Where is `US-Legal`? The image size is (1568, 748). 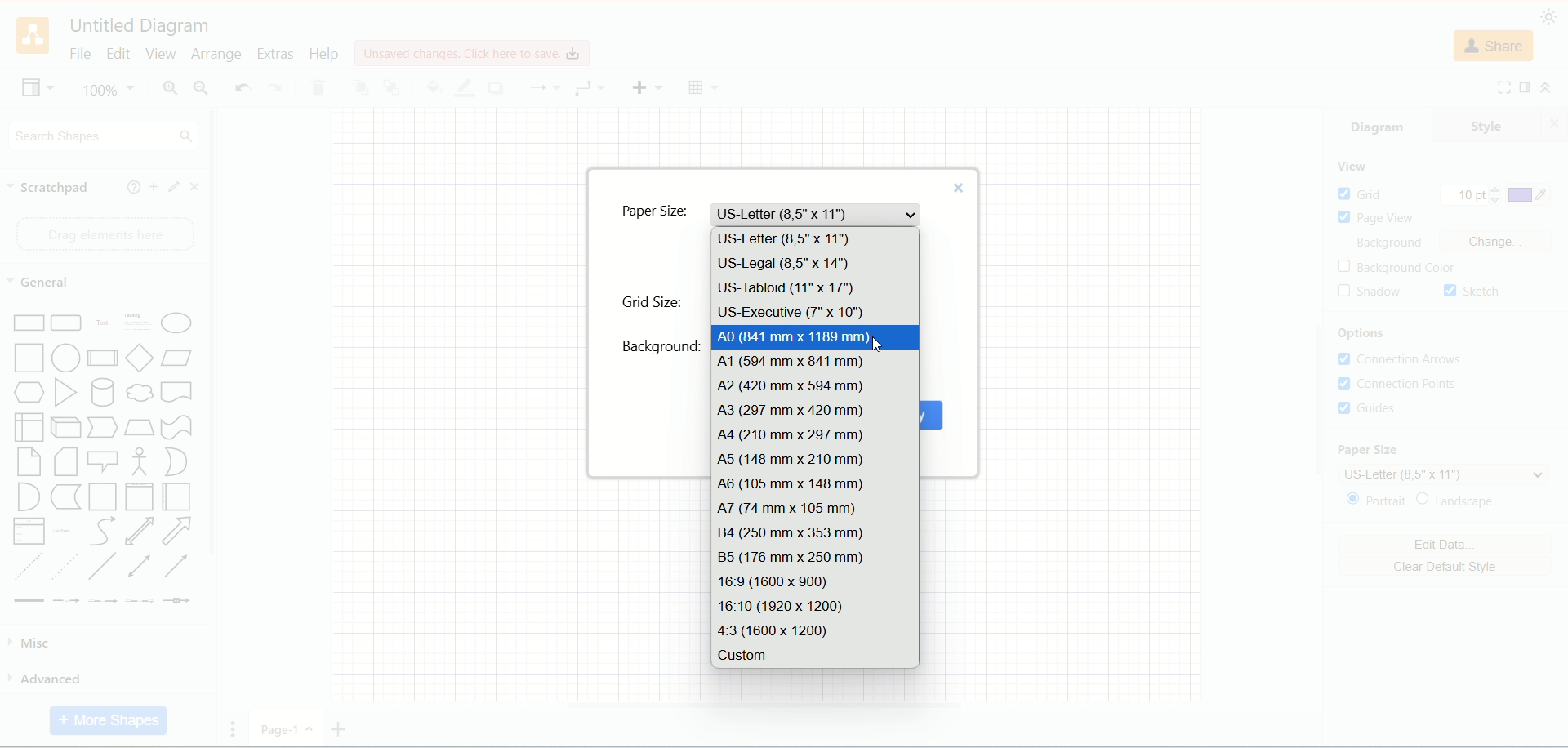
US-Legal is located at coordinates (817, 264).